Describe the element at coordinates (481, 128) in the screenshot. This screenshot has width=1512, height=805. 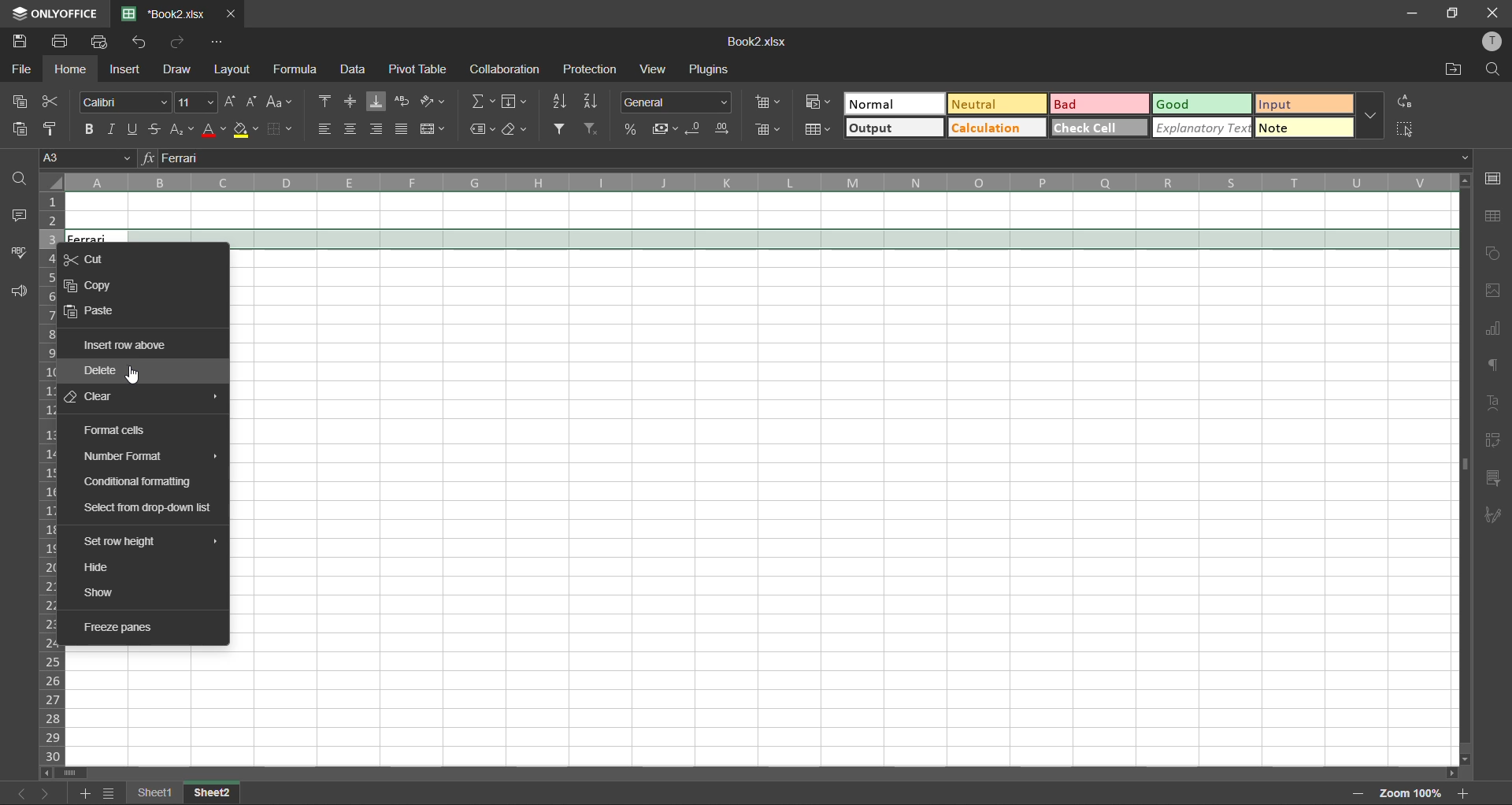
I see `named ranges` at that location.